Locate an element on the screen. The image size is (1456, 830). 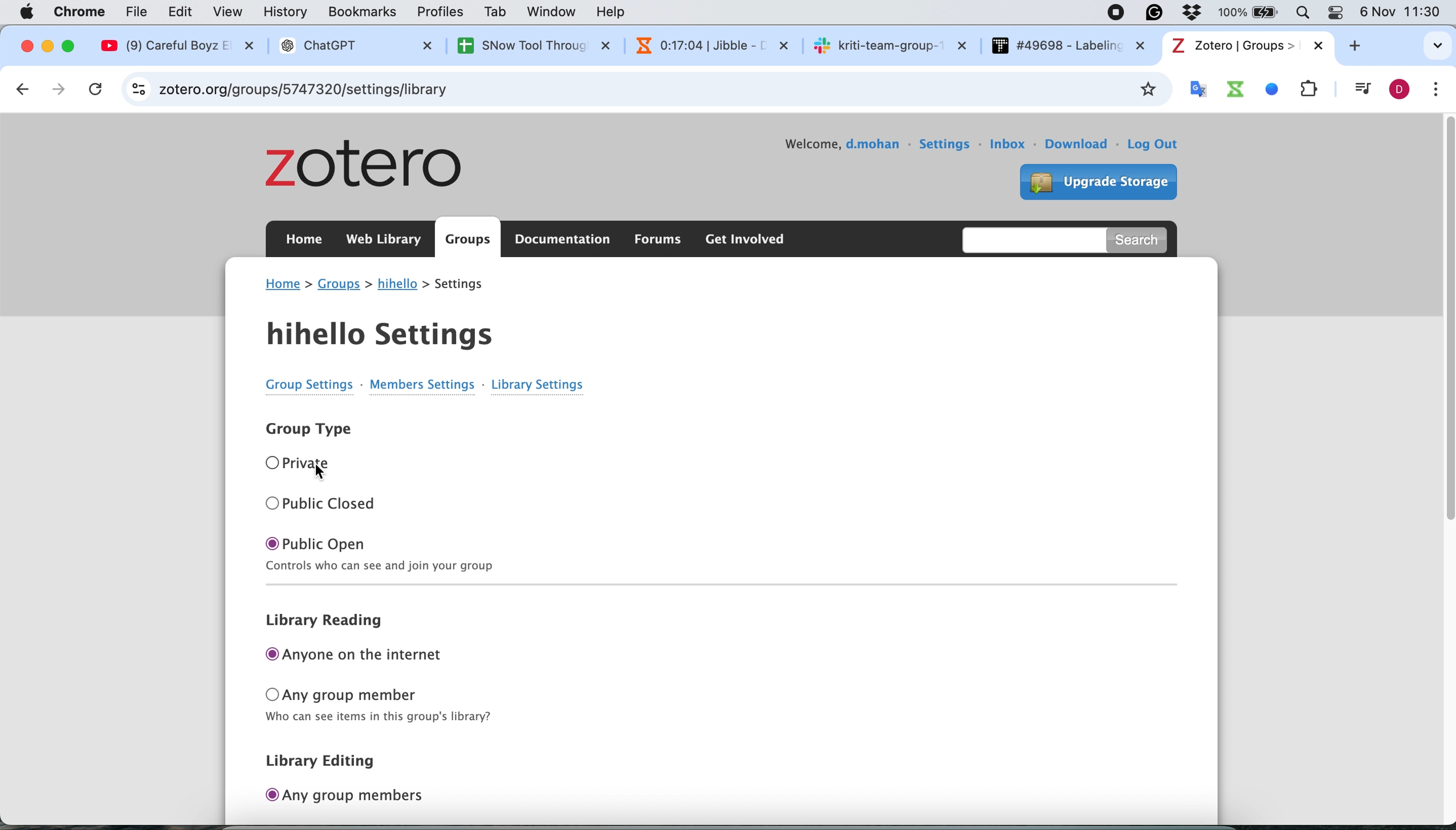
view is located at coordinates (230, 11).